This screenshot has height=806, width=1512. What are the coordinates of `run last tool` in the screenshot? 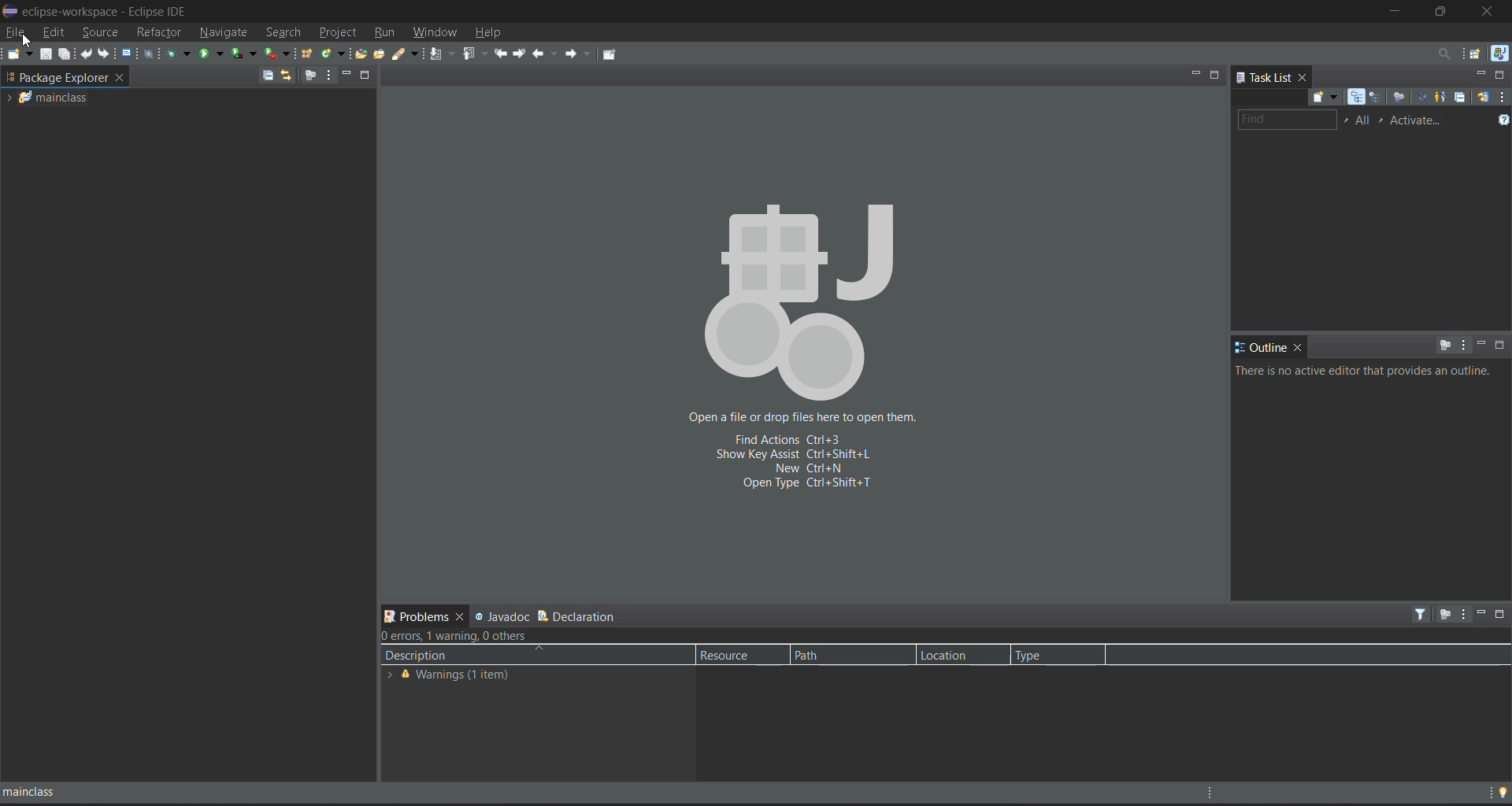 It's located at (276, 53).